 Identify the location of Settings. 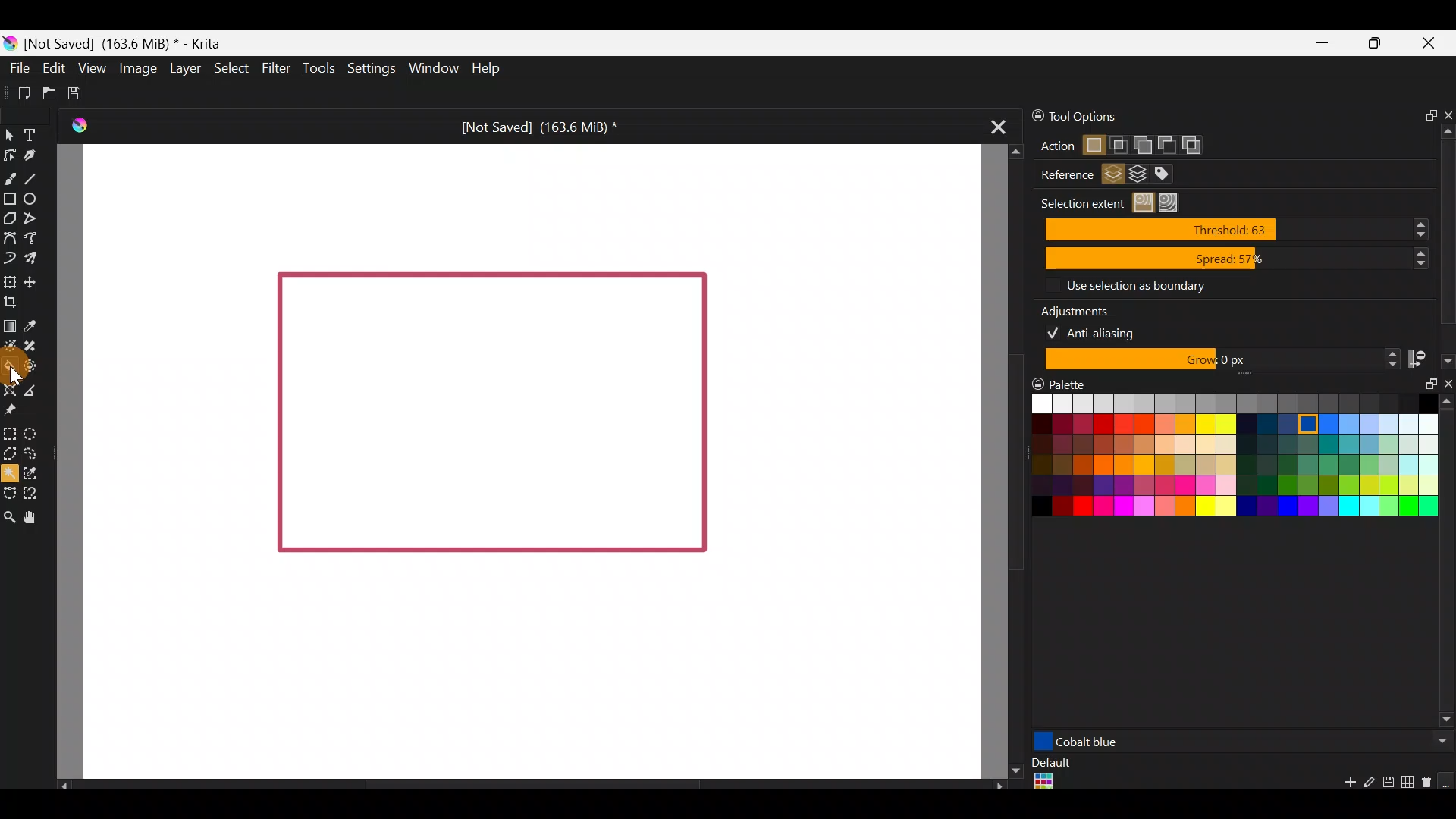
(369, 66).